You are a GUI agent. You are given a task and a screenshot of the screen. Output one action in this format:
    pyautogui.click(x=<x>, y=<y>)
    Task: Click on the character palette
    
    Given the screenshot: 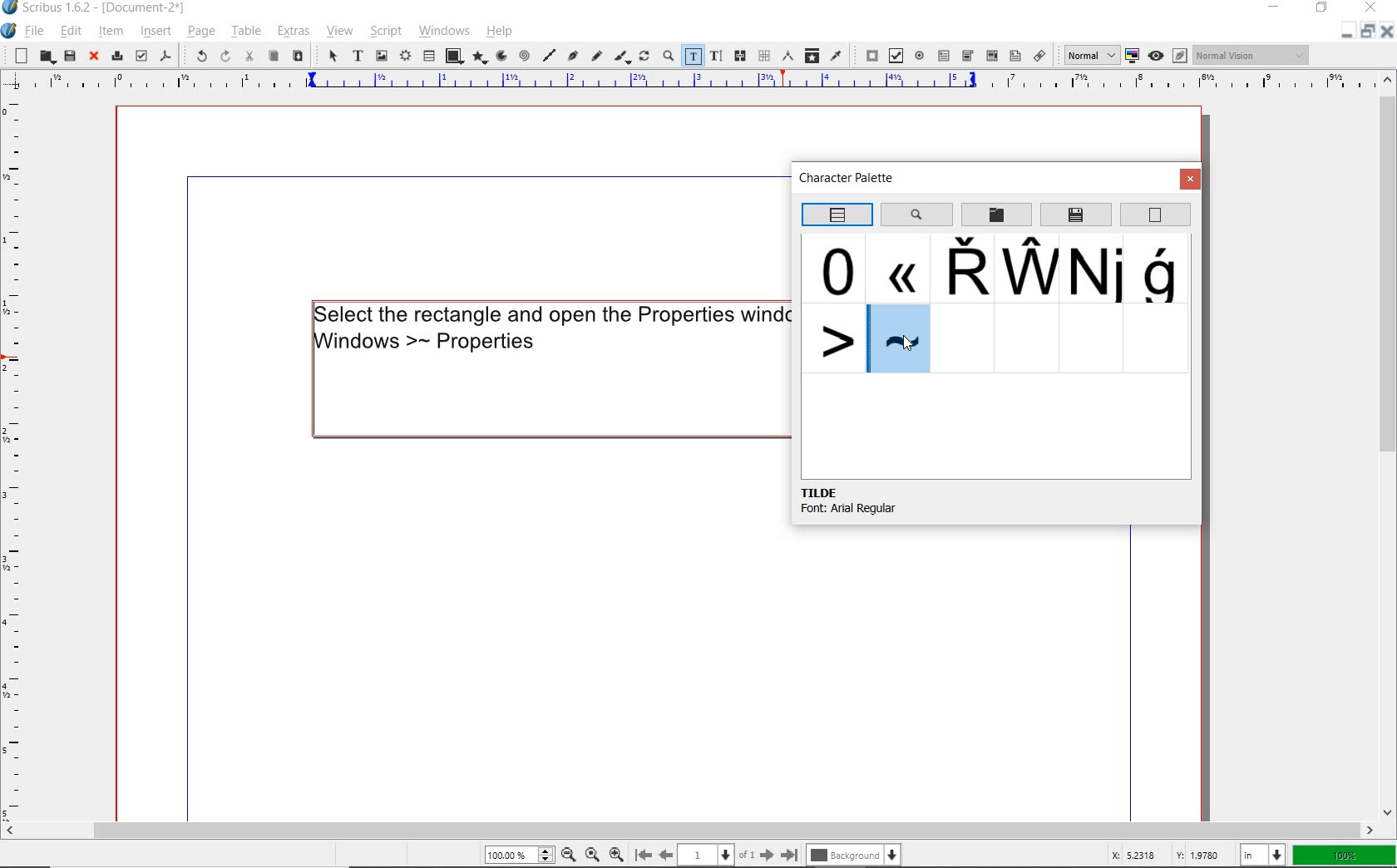 What is the action you would take?
    pyautogui.click(x=852, y=180)
    